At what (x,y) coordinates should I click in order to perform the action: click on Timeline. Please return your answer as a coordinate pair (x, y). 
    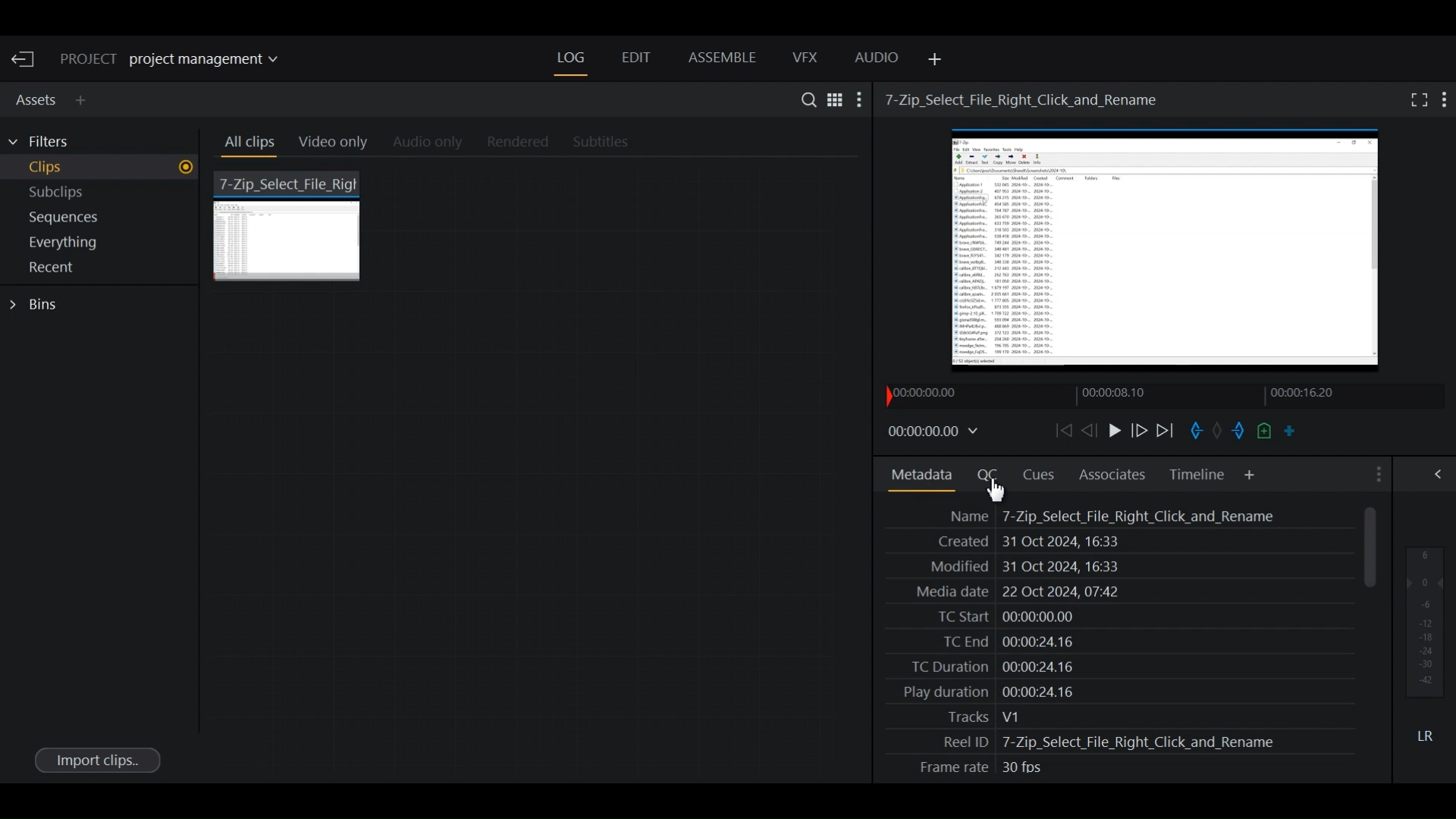
    Looking at the image, I should click on (1131, 395).